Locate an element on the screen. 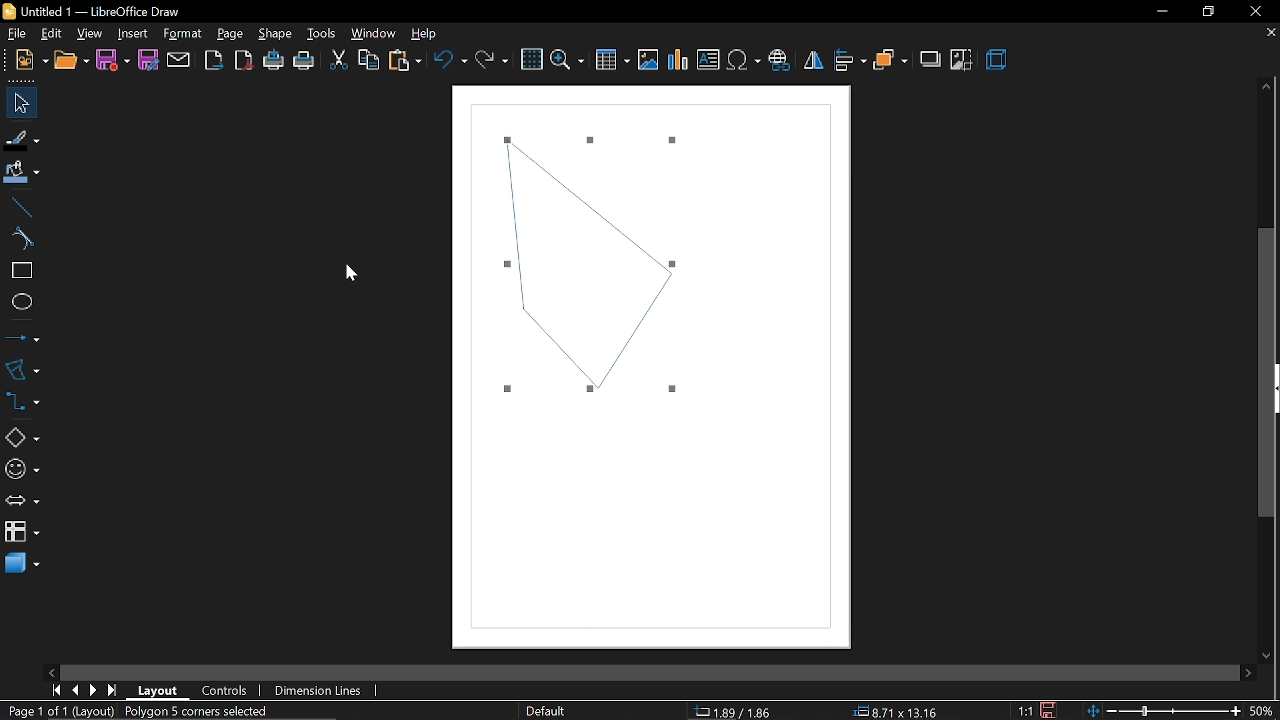 The image size is (1280, 720). undo is located at coordinates (451, 59).